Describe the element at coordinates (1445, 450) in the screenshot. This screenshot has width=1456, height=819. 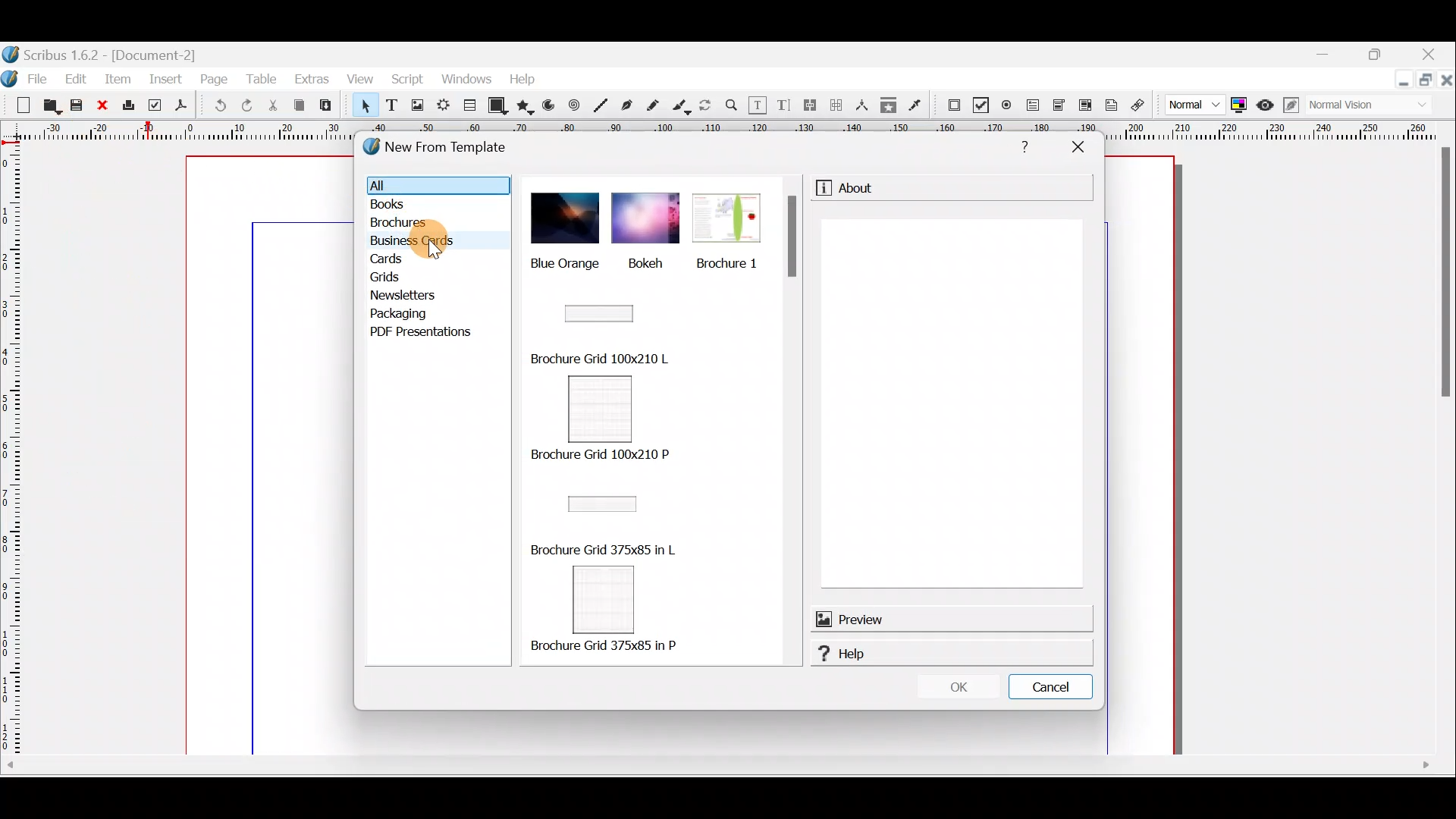
I see `Scroll bar` at that location.